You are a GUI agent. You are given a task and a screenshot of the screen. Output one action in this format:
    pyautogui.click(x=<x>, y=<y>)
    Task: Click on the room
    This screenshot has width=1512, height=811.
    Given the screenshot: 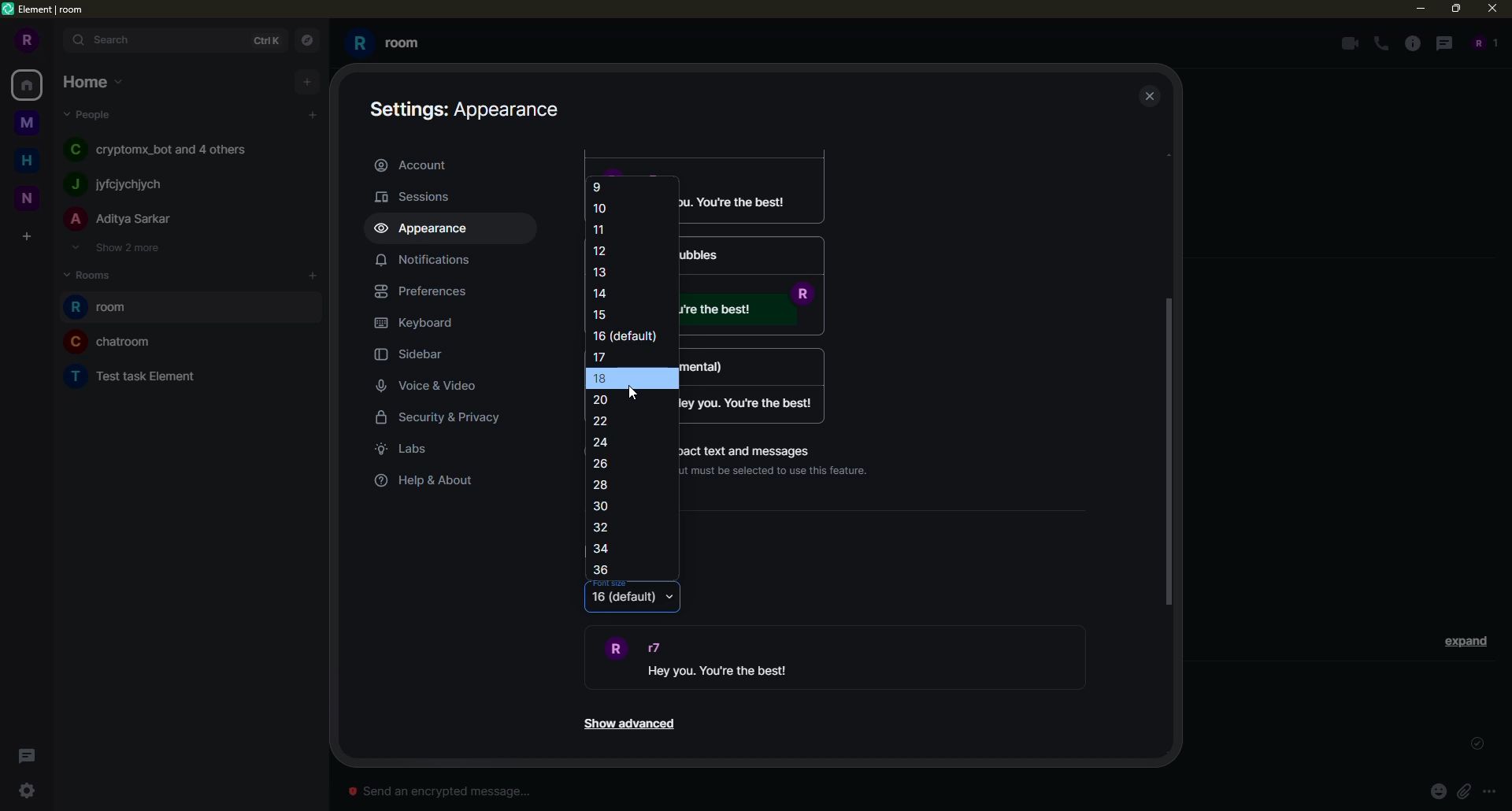 What is the action you would take?
    pyautogui.click(x=387, y=43)
    